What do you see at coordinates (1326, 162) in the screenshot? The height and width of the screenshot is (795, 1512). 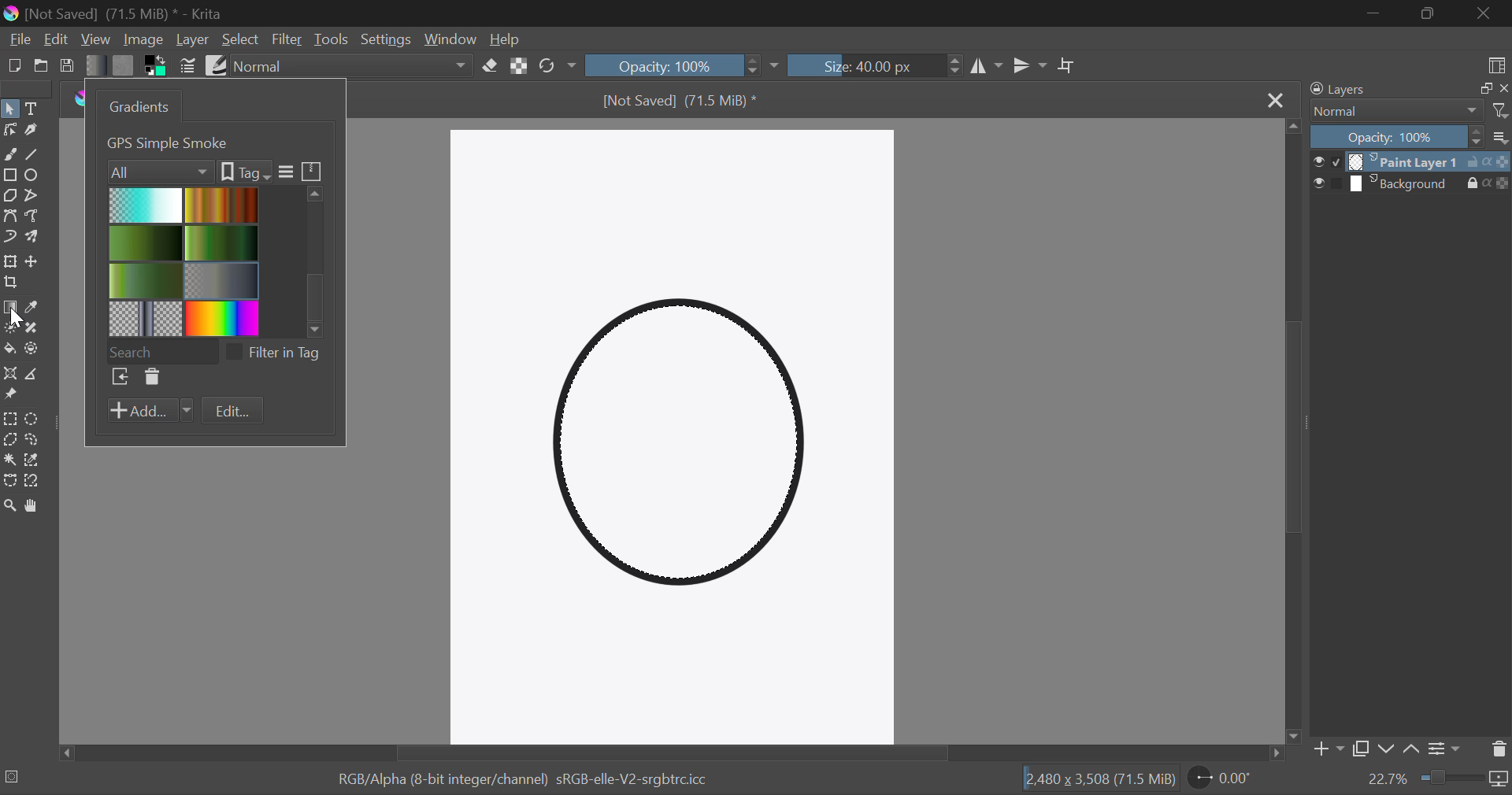 I see `checkbox` at bounding box center [1326, 162].